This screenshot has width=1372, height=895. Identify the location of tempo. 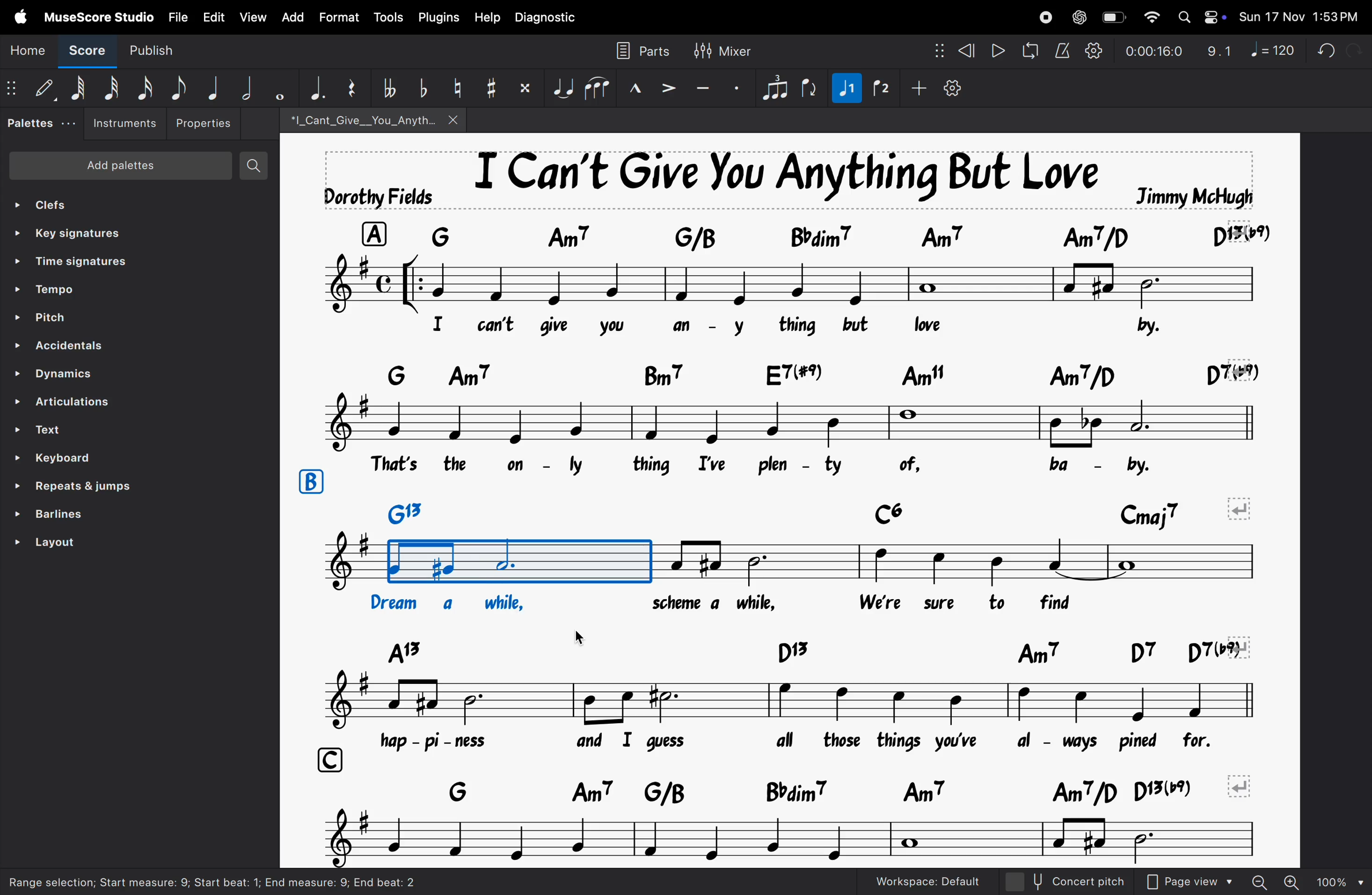
(51, 291).